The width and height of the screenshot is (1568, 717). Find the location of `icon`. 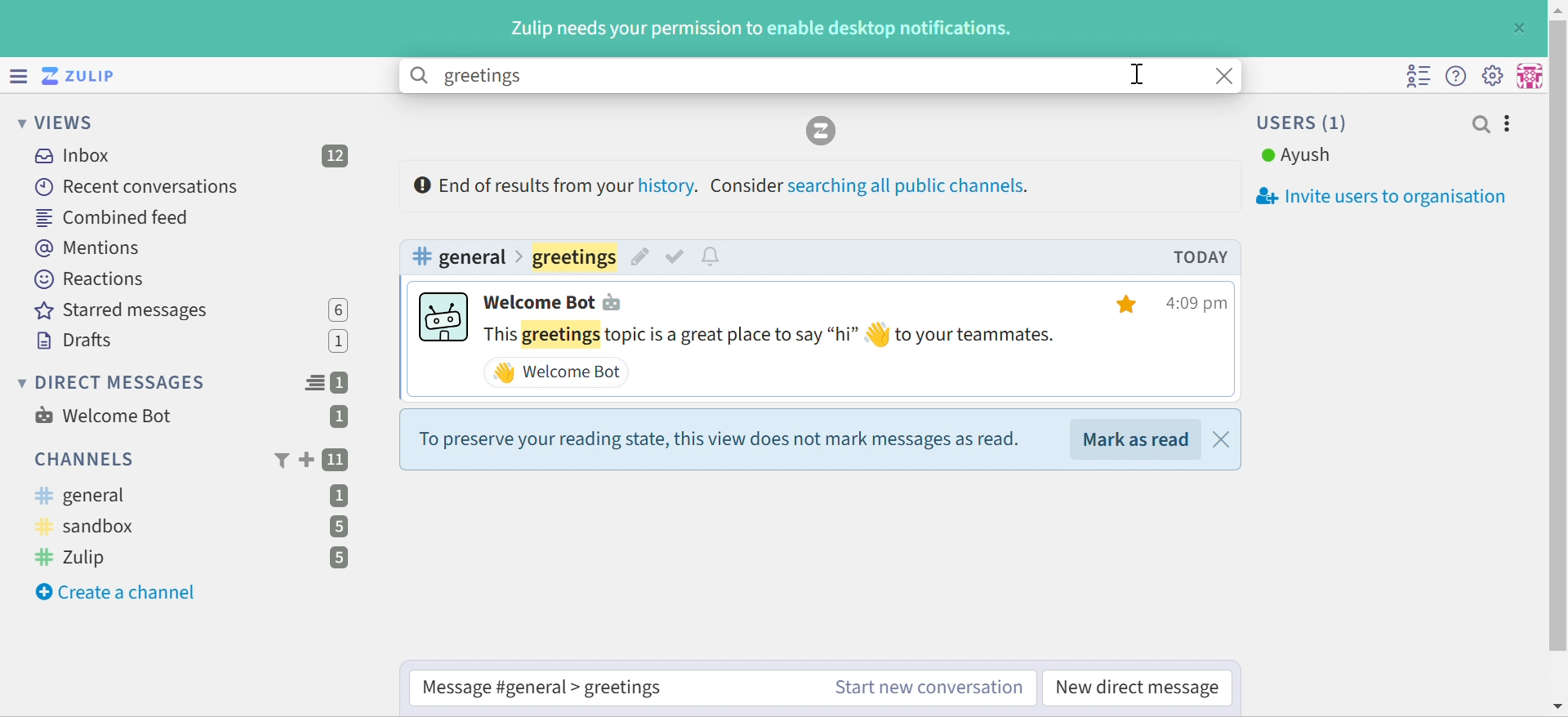

icon is located at coordinates (443, 317).